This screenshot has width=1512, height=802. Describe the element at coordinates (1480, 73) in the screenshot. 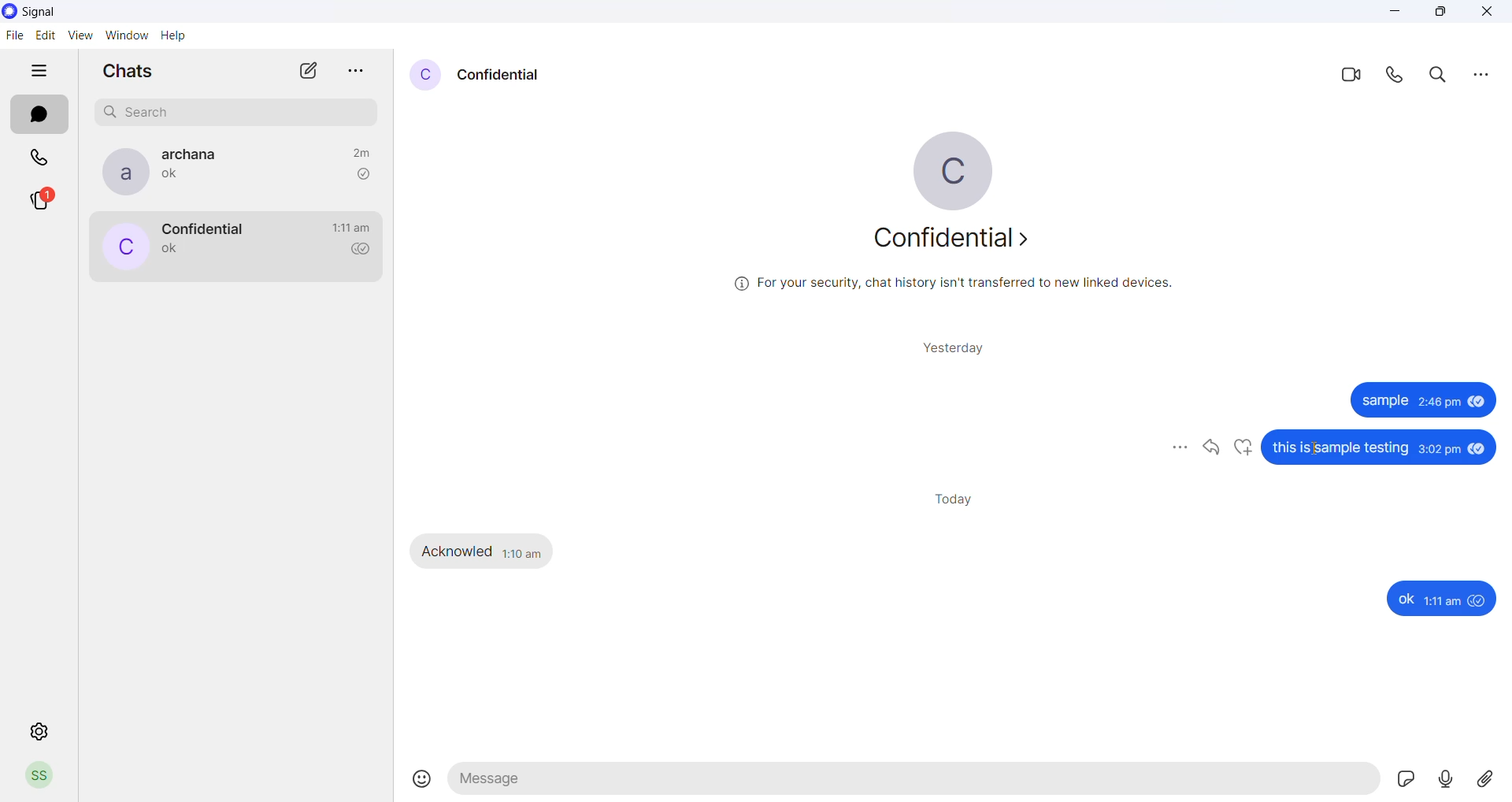

I see `more options` at that location.